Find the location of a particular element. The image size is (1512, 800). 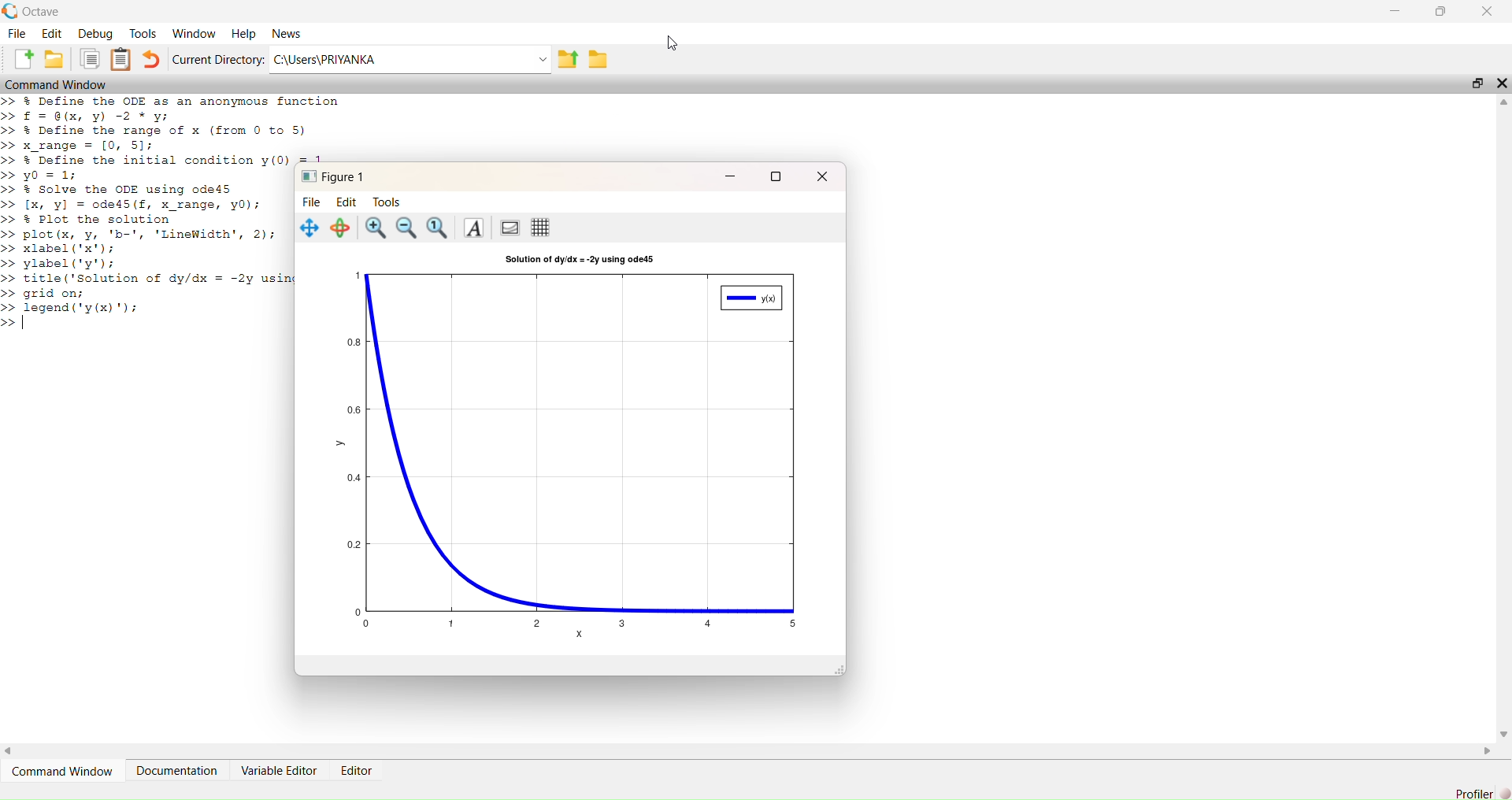

C:\Users\PRIYANKA is located at coordinates (401, 59).